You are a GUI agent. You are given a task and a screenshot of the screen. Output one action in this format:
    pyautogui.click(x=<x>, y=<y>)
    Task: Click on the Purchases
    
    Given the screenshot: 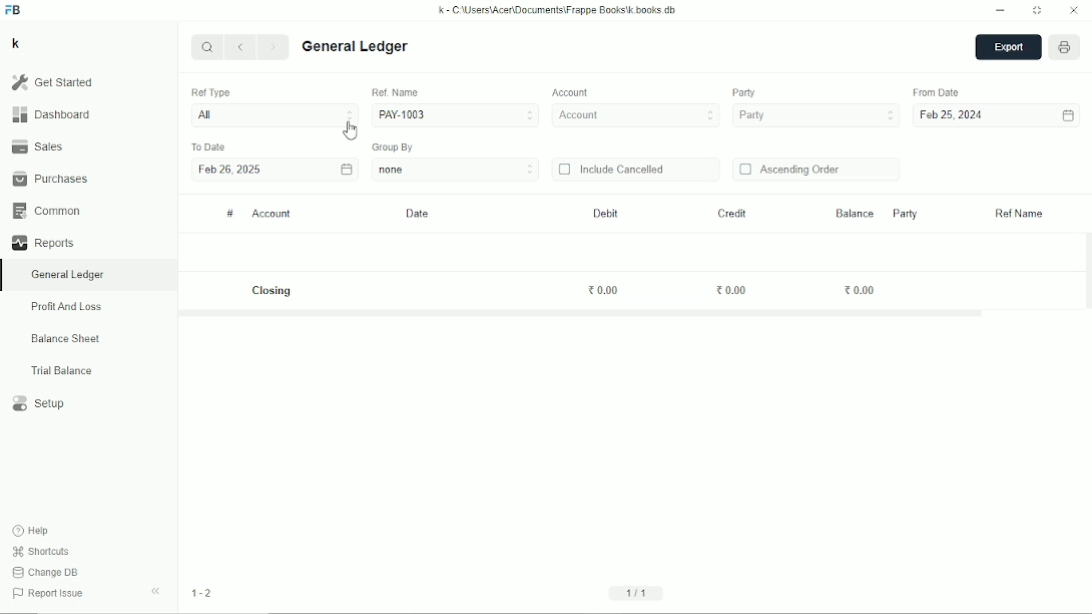 What is the action you would take?
    pyautogui.click(x=50, y=178)
    